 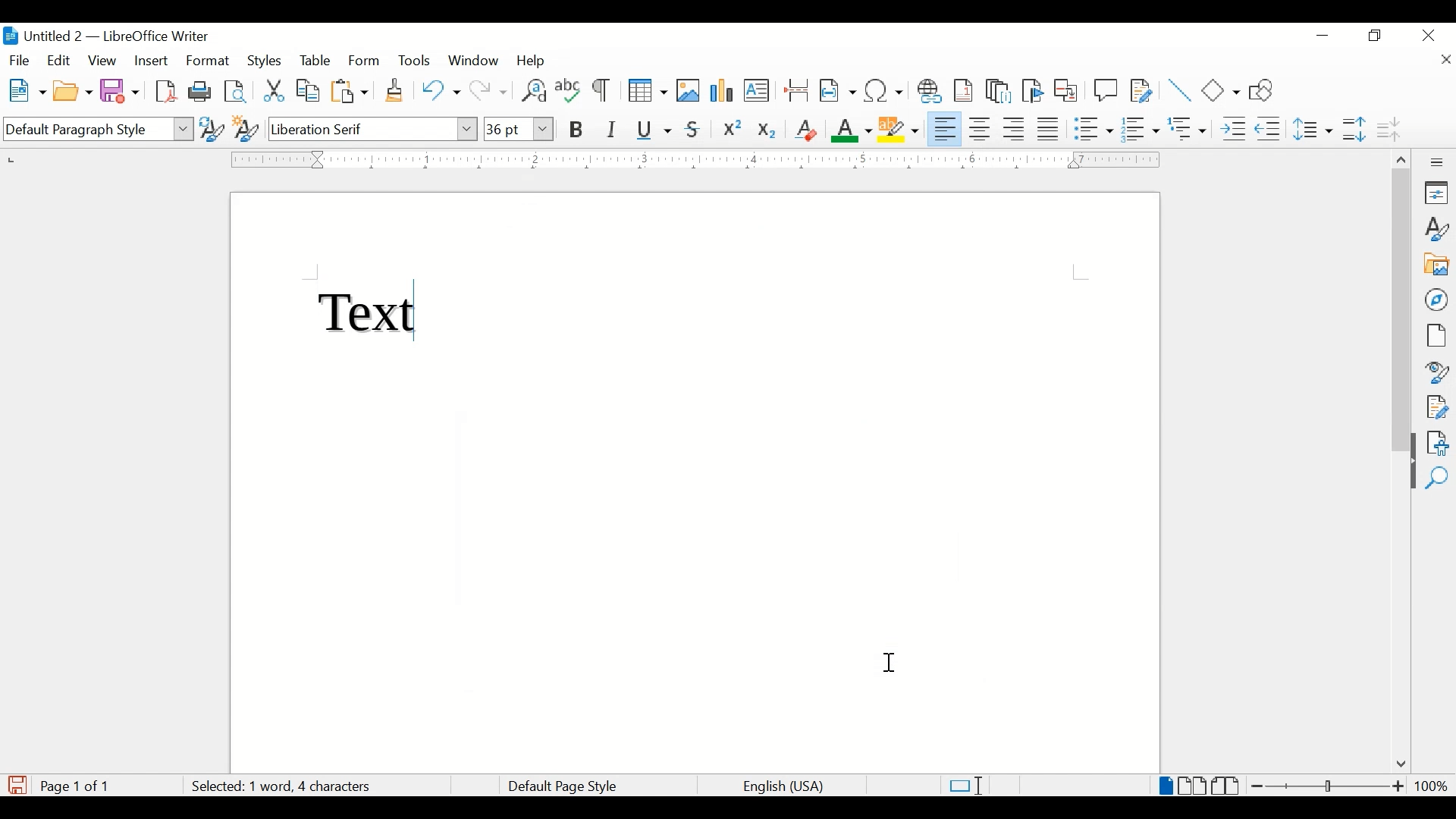 I want to click on find, so click(x=1437, y=479).